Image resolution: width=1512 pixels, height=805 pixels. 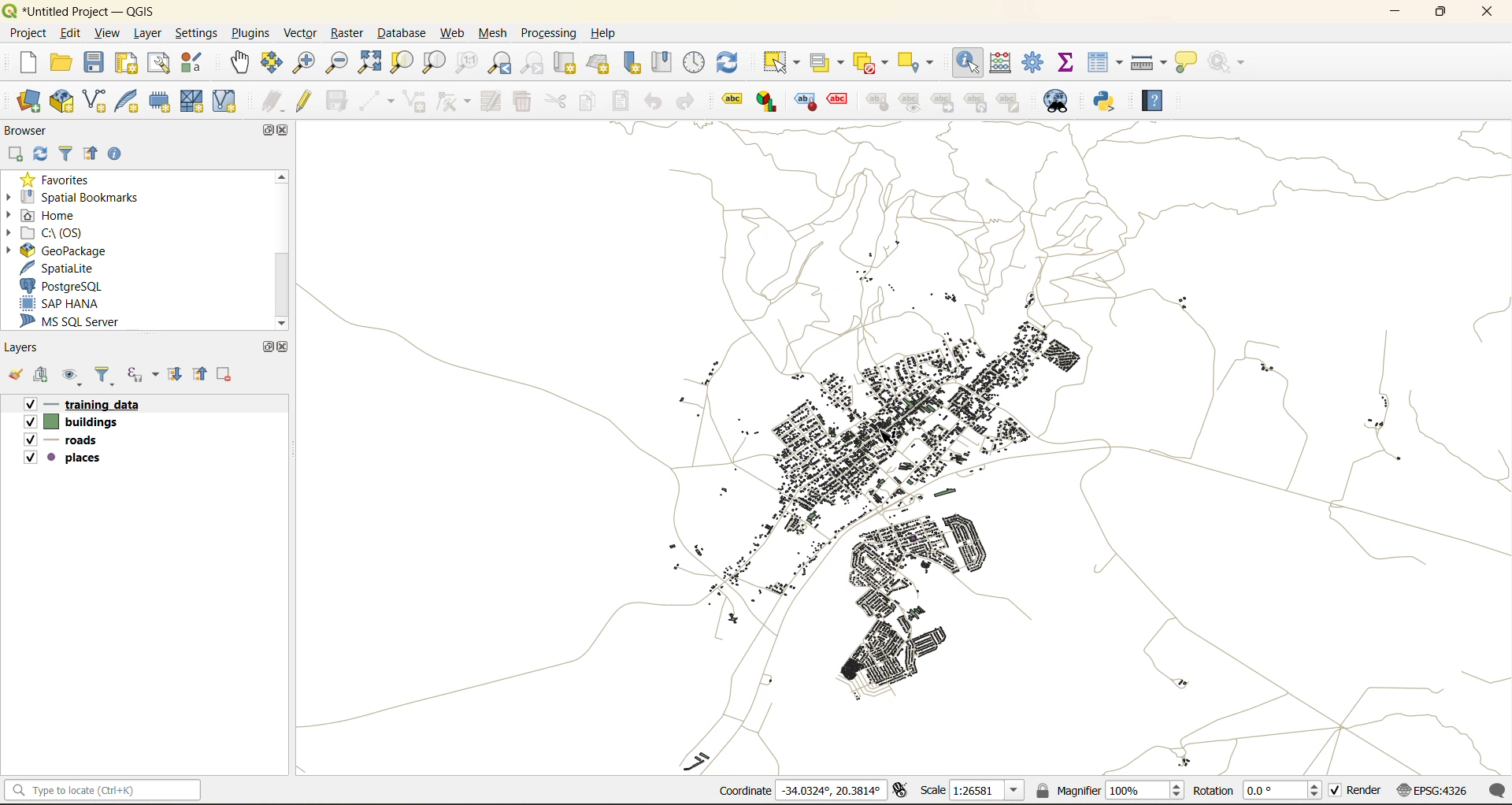 I want to click on delete, so click(x=524, y=104).